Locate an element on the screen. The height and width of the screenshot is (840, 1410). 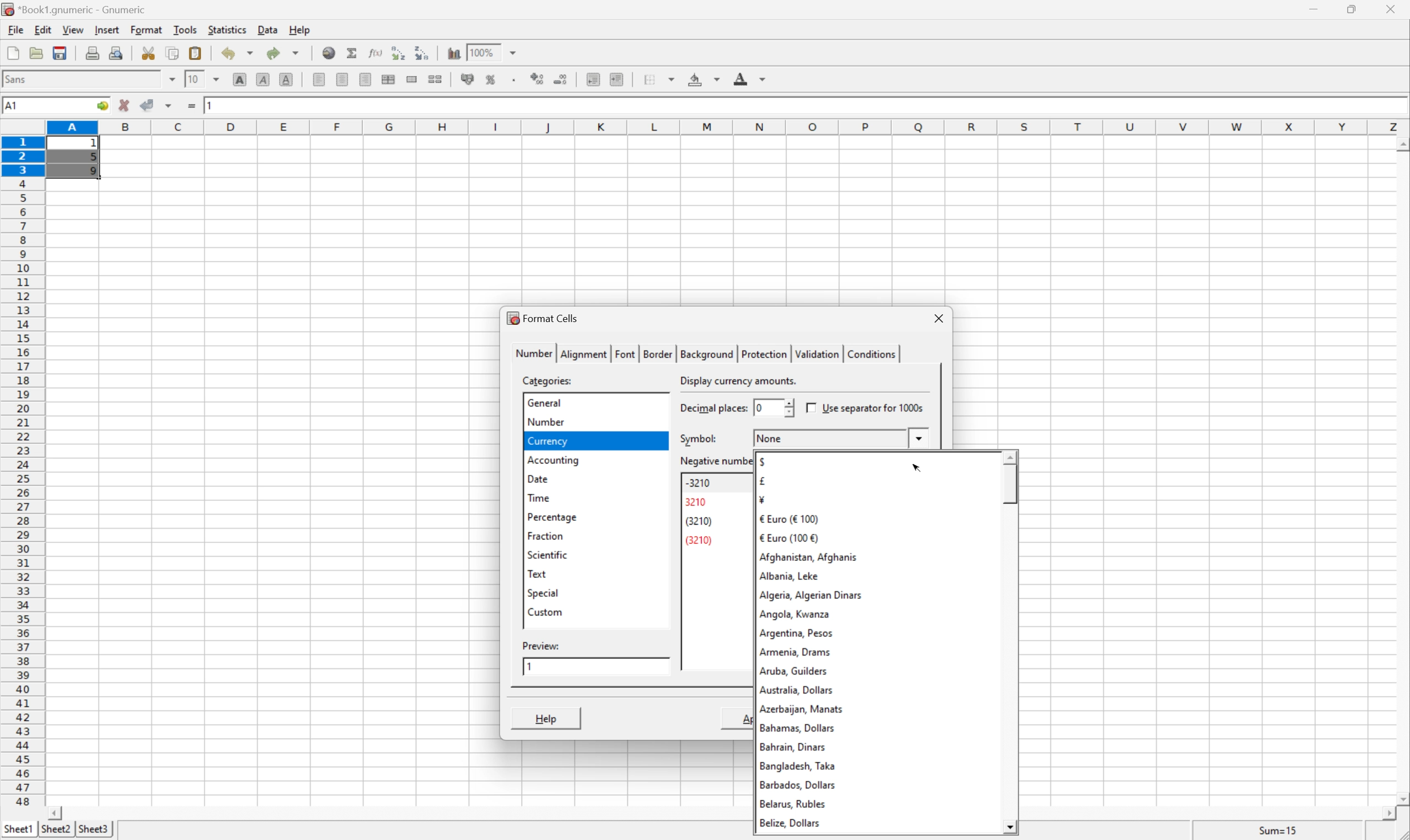
number is located at coordinates (544, 421).